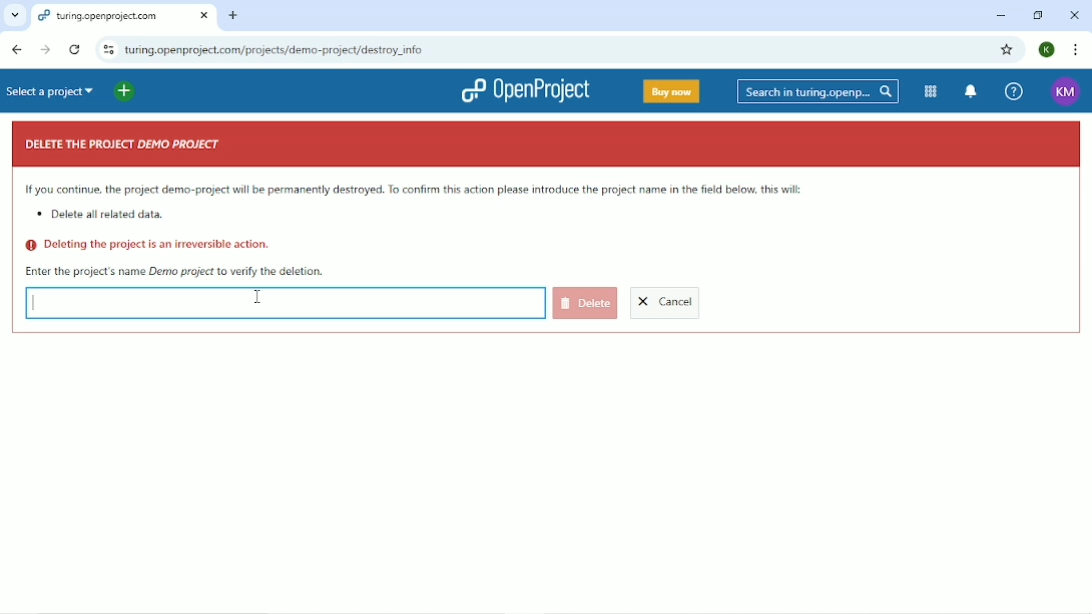 Image resolution: width=1092 pixels, height=614 pixels. I want to click on Delete all related data, so click(104, 216).